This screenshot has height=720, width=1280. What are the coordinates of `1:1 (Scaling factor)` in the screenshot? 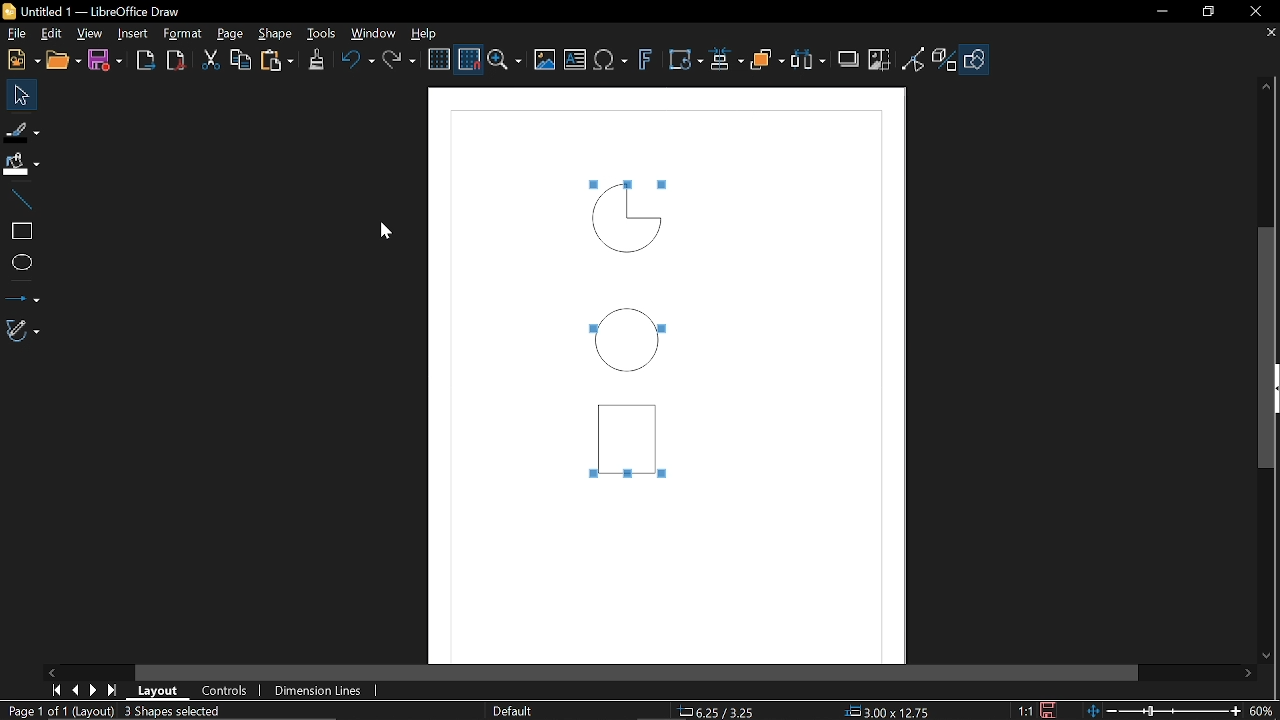 It's located at (1024, 709).